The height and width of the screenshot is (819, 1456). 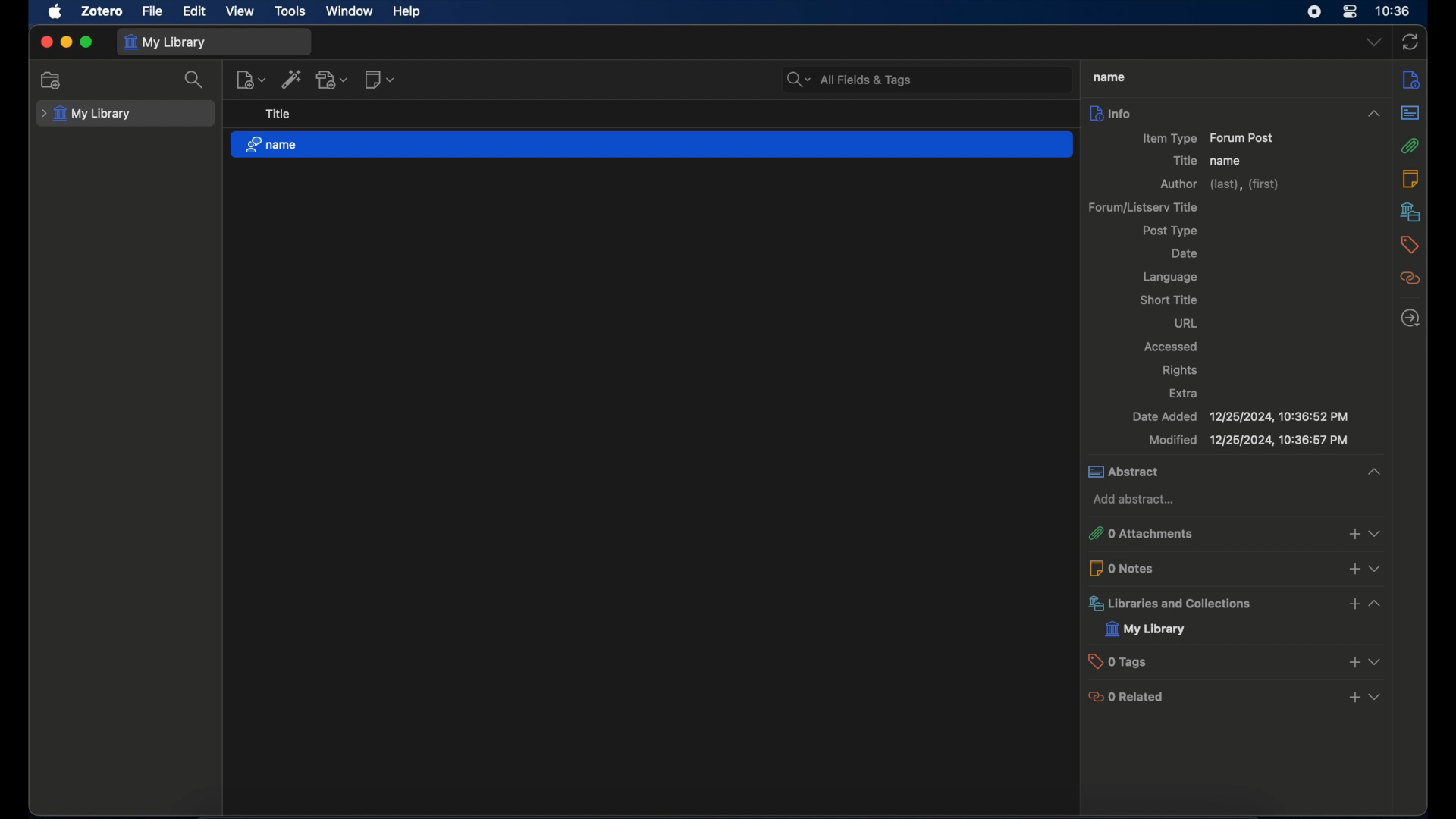 I want to click on sync, so click(x=1411, y=42).